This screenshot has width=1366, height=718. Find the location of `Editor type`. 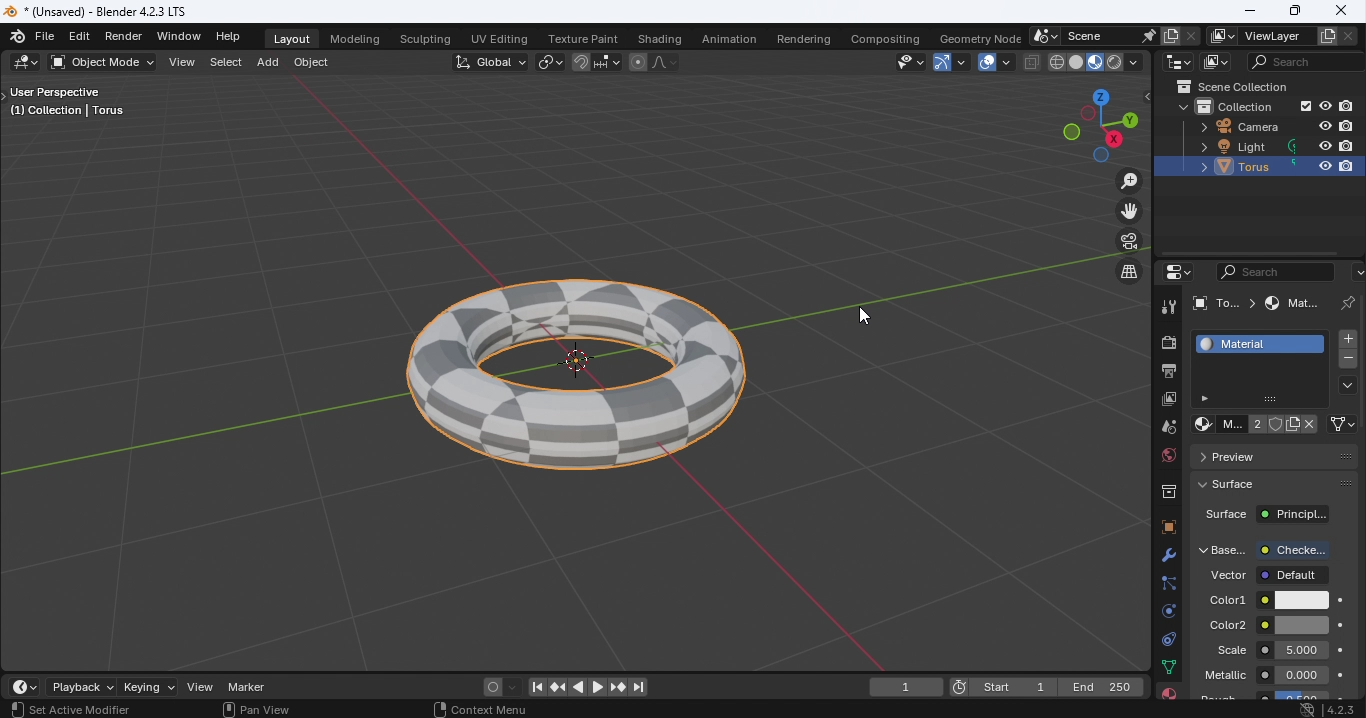

Editor type is located at coordinates (1175, 271).